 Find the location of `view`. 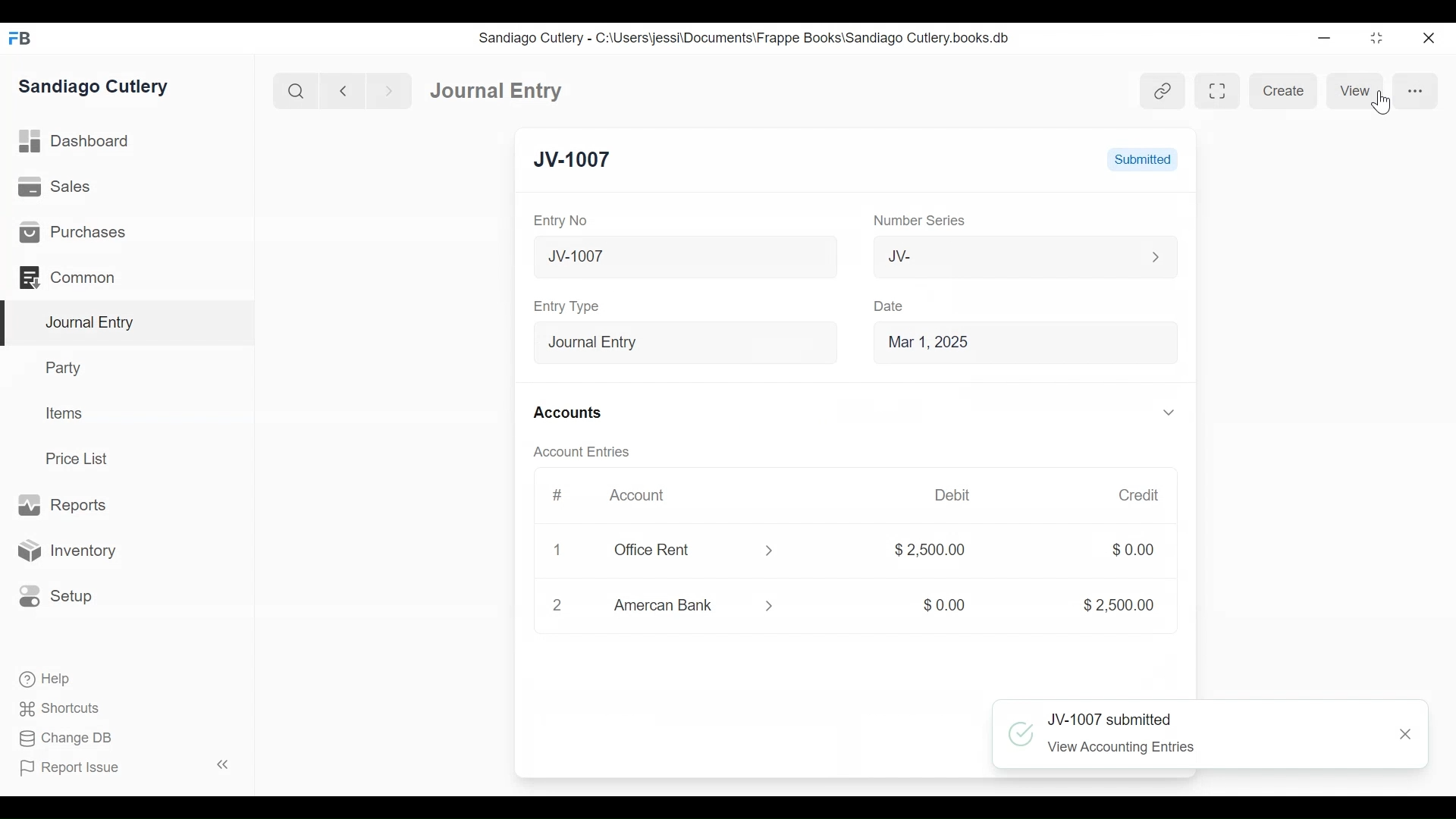

view is located at coordinates (1358, 90).